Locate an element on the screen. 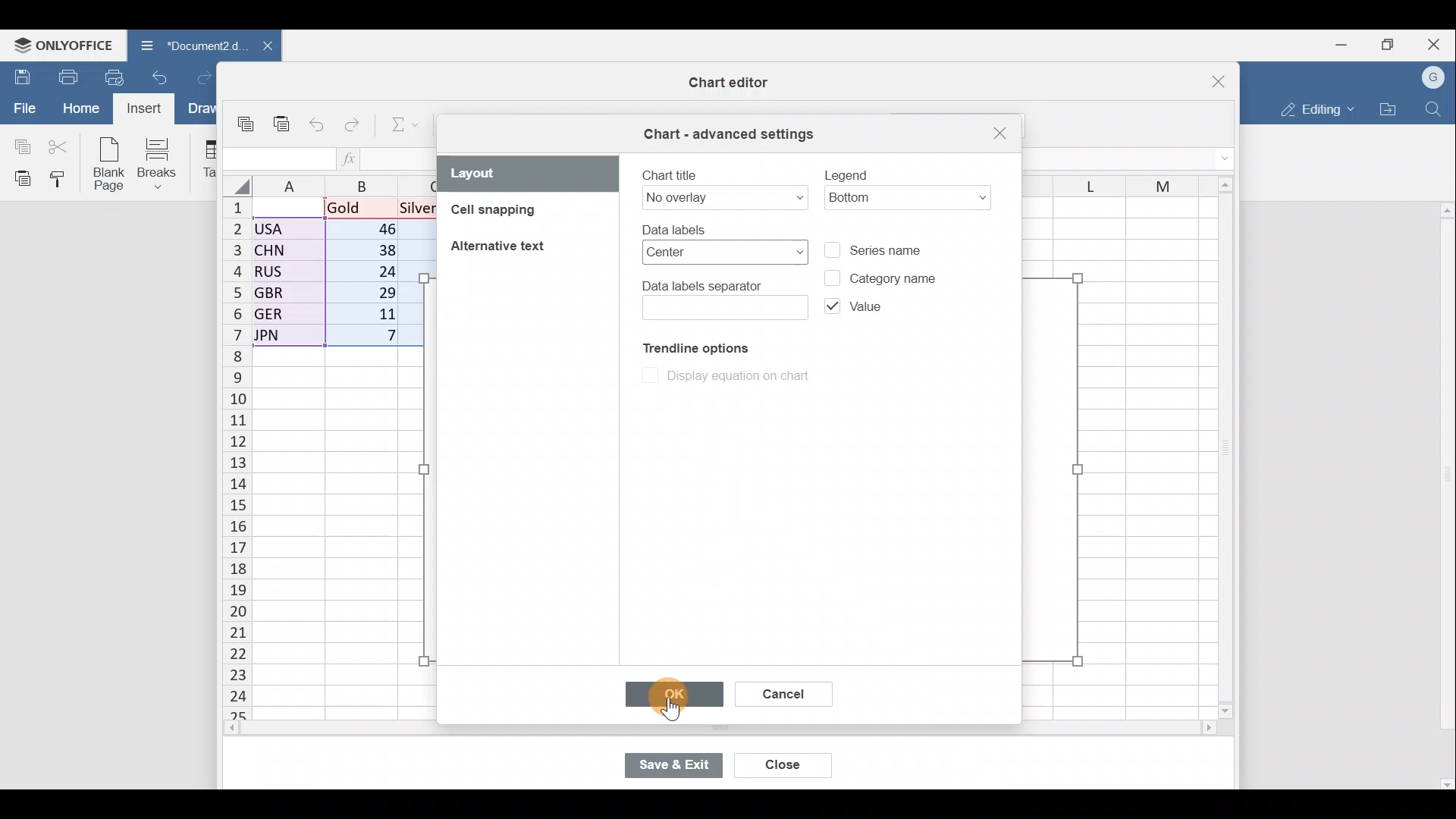  Close is located at coordinates (786, 767).